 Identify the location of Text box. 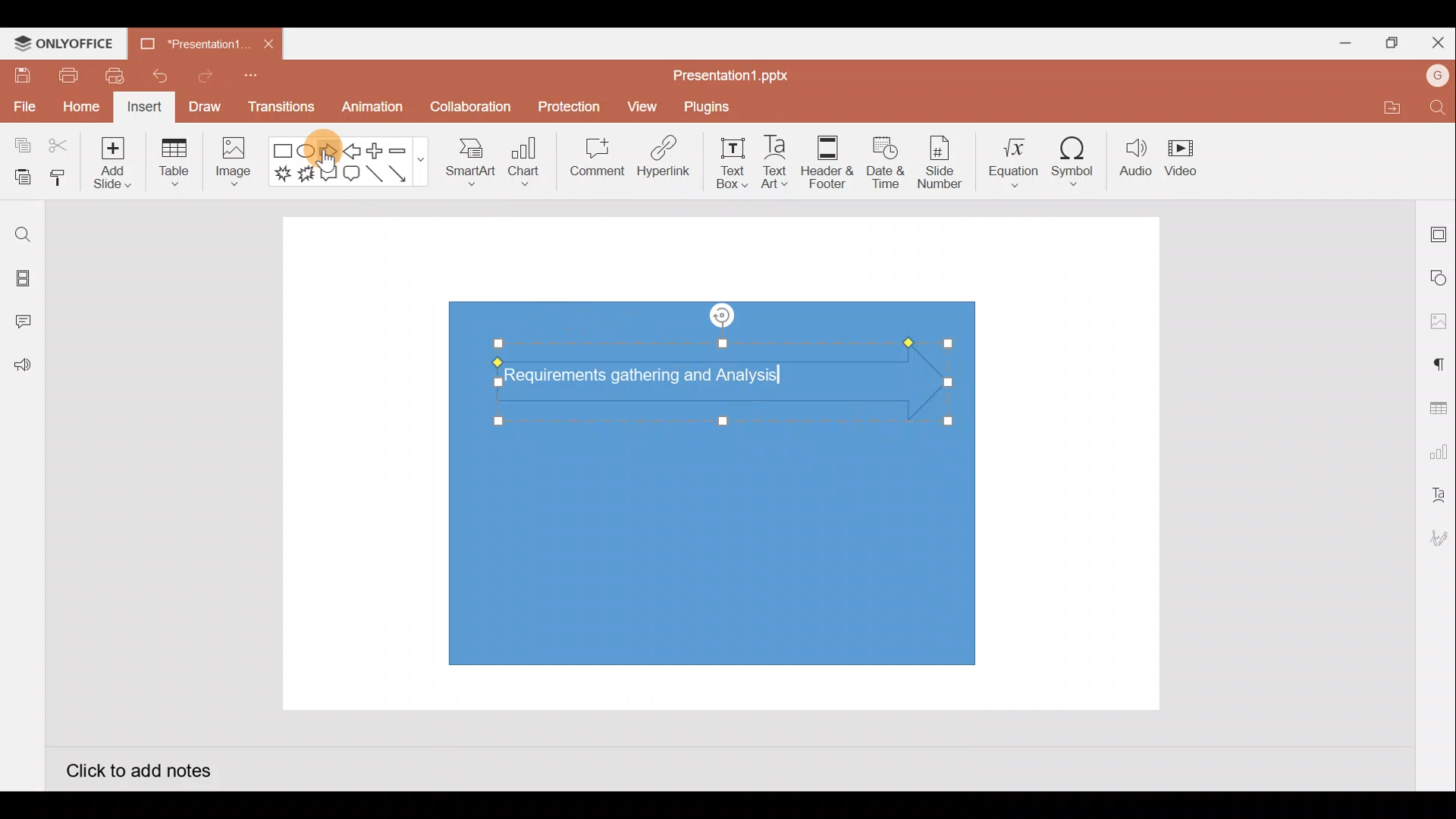
(733, 163).